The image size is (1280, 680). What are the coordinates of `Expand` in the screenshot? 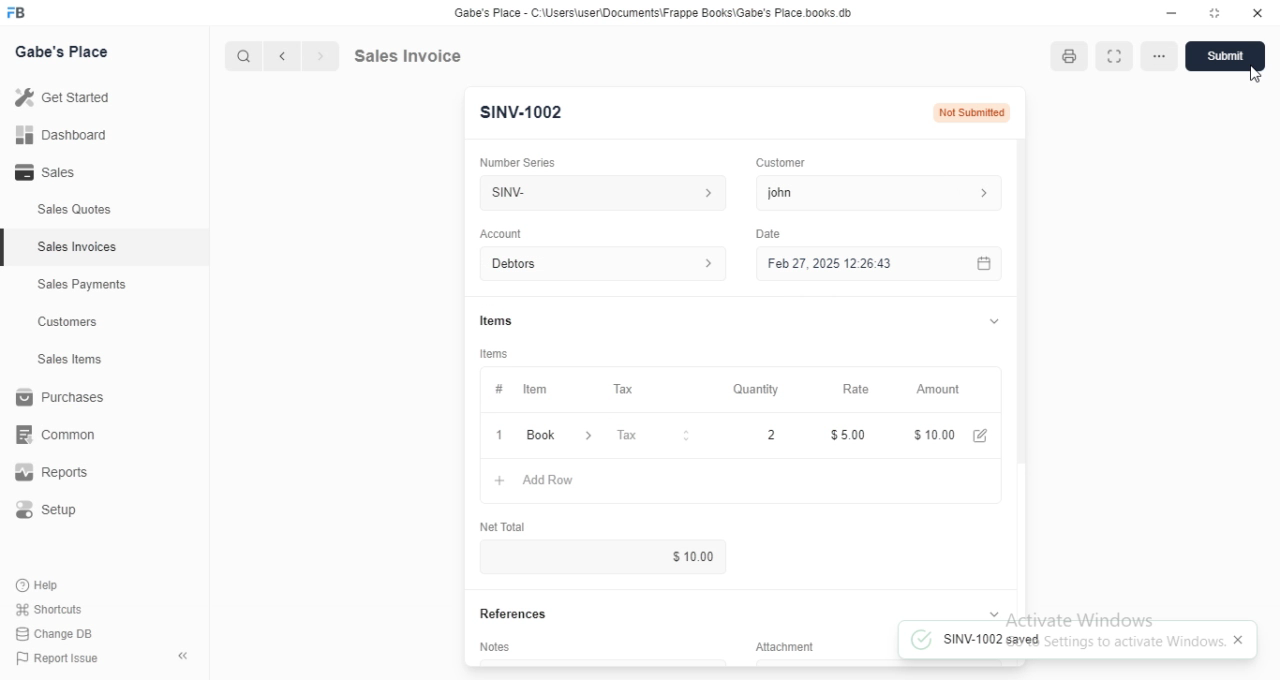 It's located at (989, 321).